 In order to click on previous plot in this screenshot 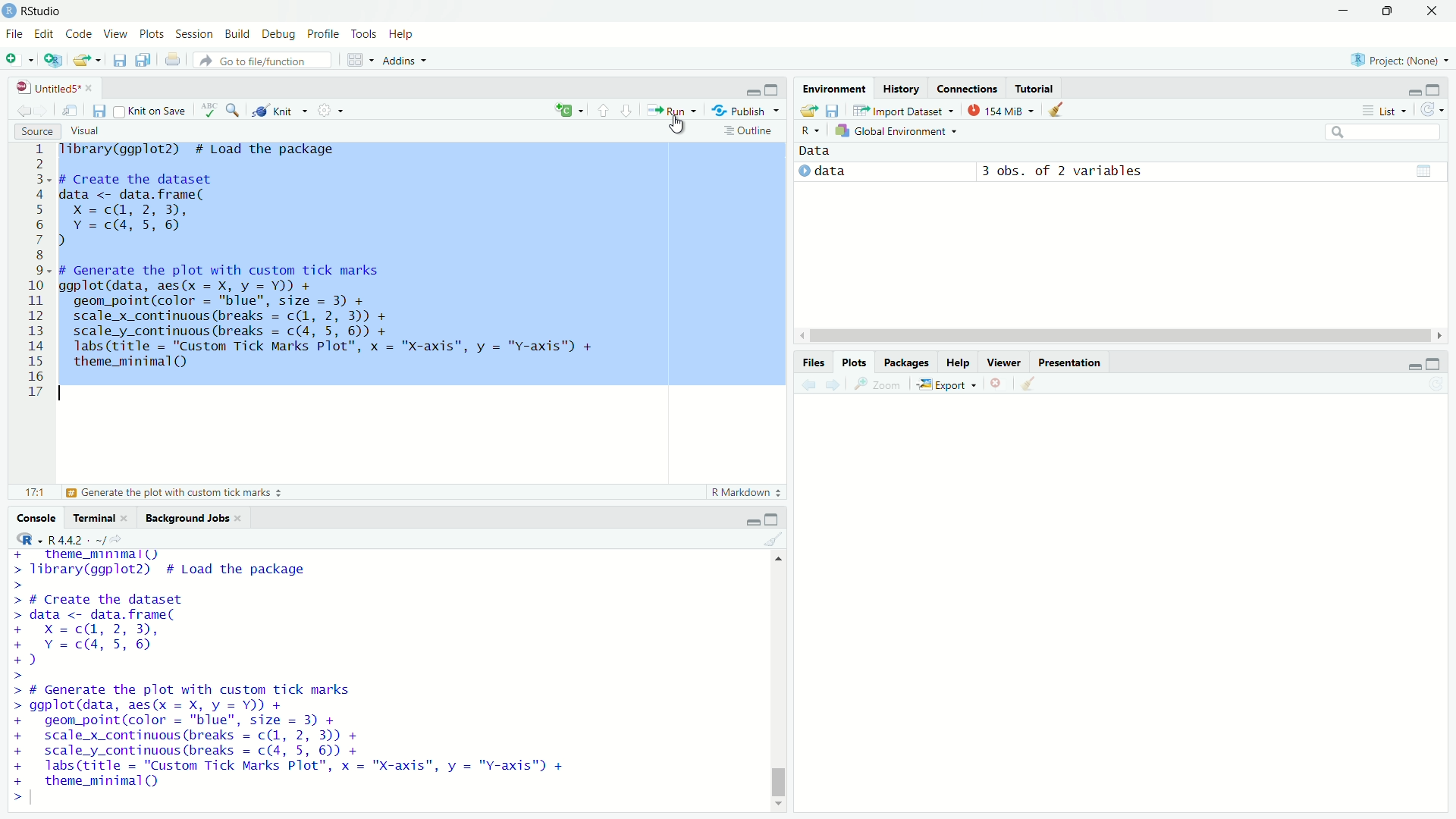, I will do `click(804, 384)`.